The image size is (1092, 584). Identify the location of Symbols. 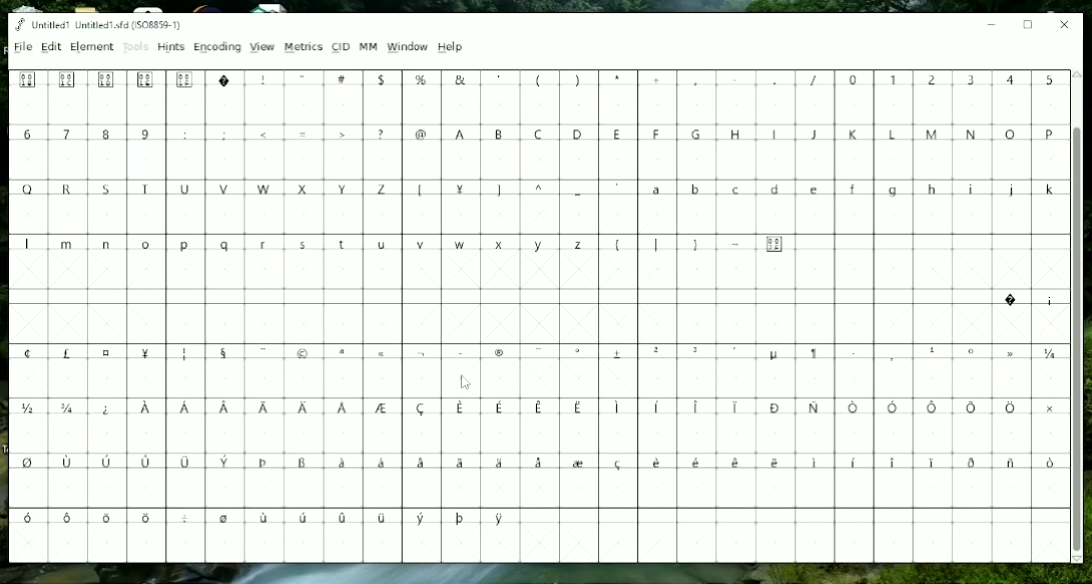
(701, 245).